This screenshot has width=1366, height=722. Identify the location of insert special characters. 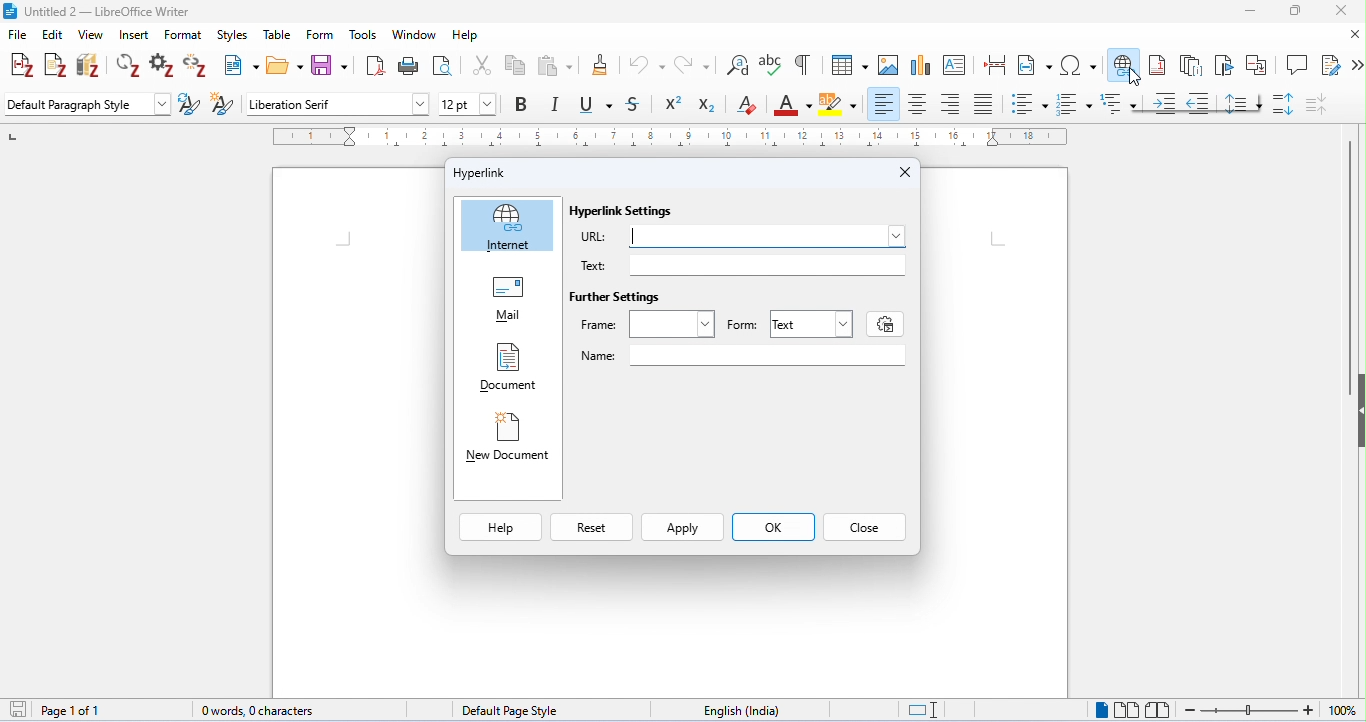
(1079, 63).